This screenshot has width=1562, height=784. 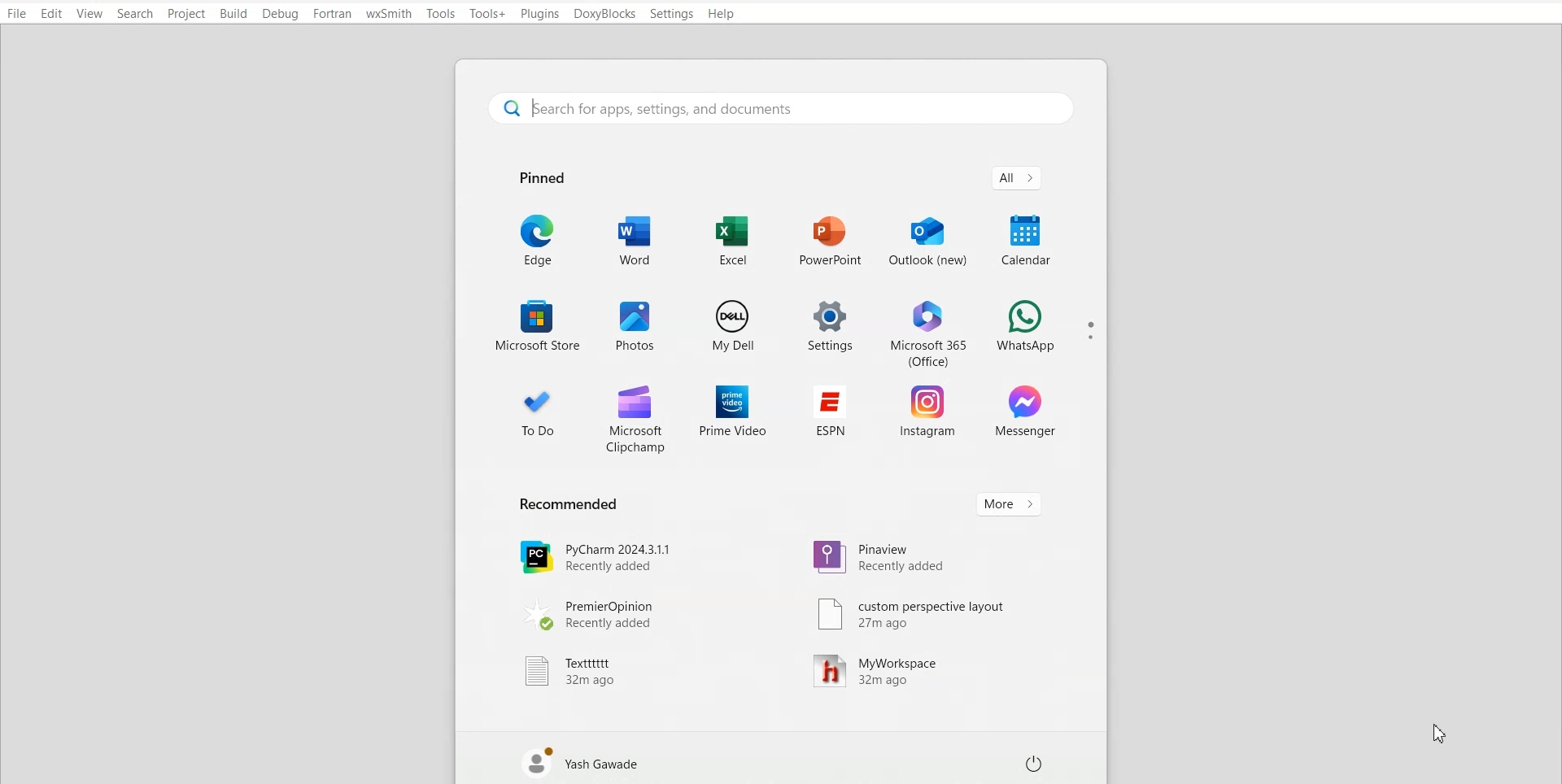 I want to click on Custom perspective layout, so click(x=913, y=614).